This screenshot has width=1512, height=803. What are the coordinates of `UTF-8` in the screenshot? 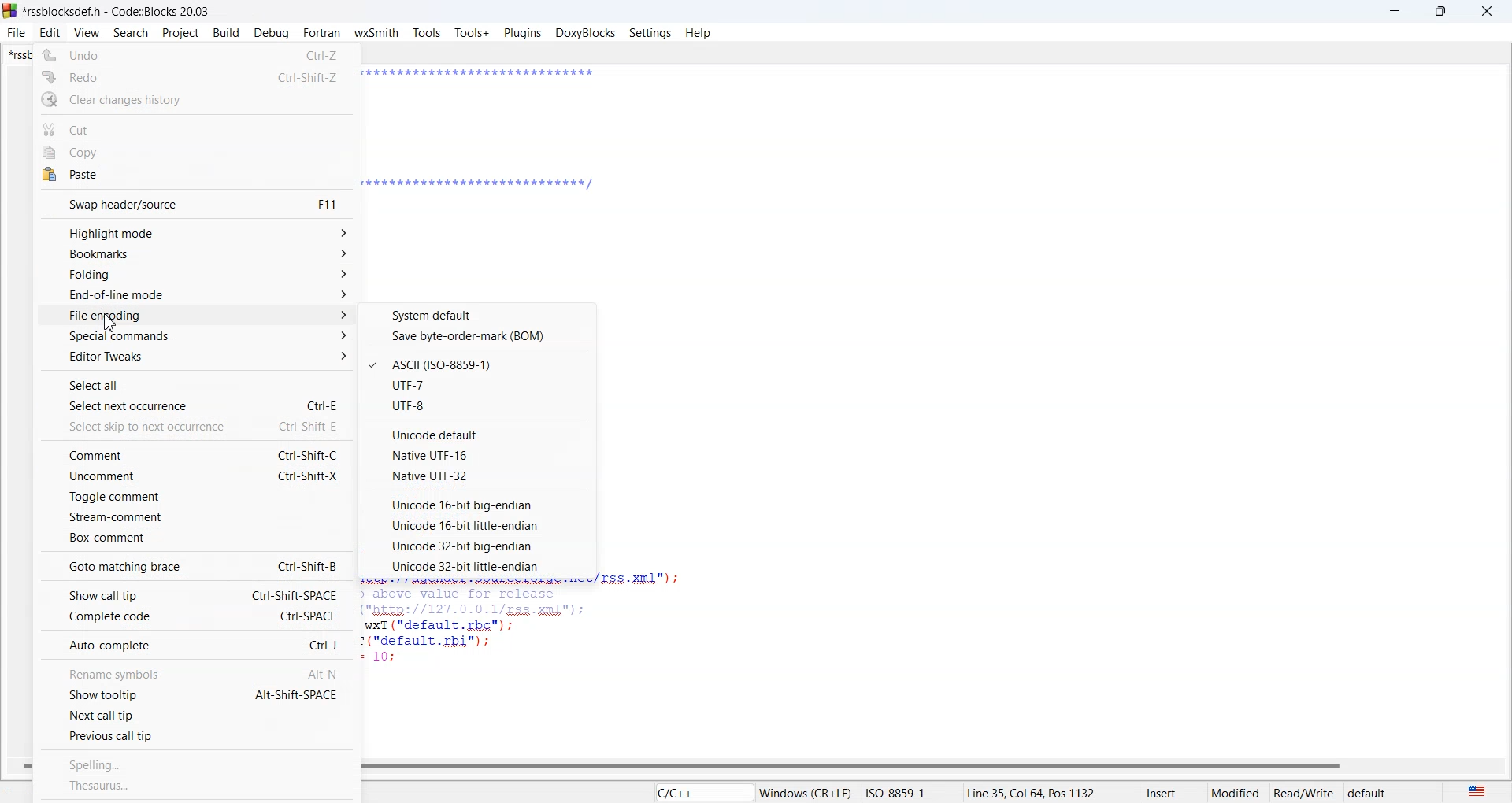 It's located at (479, 406).